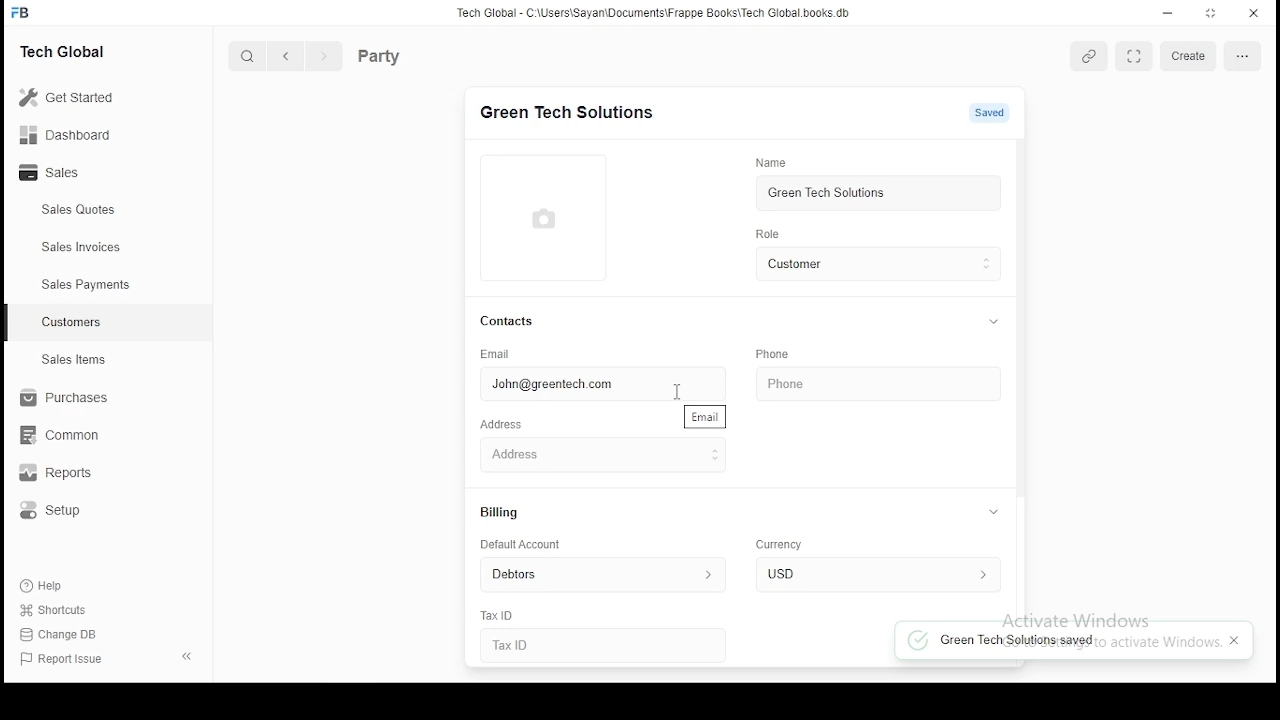 The height and width of the screenshot is (720, 1280). I want to click on draft, so click(994, 113).